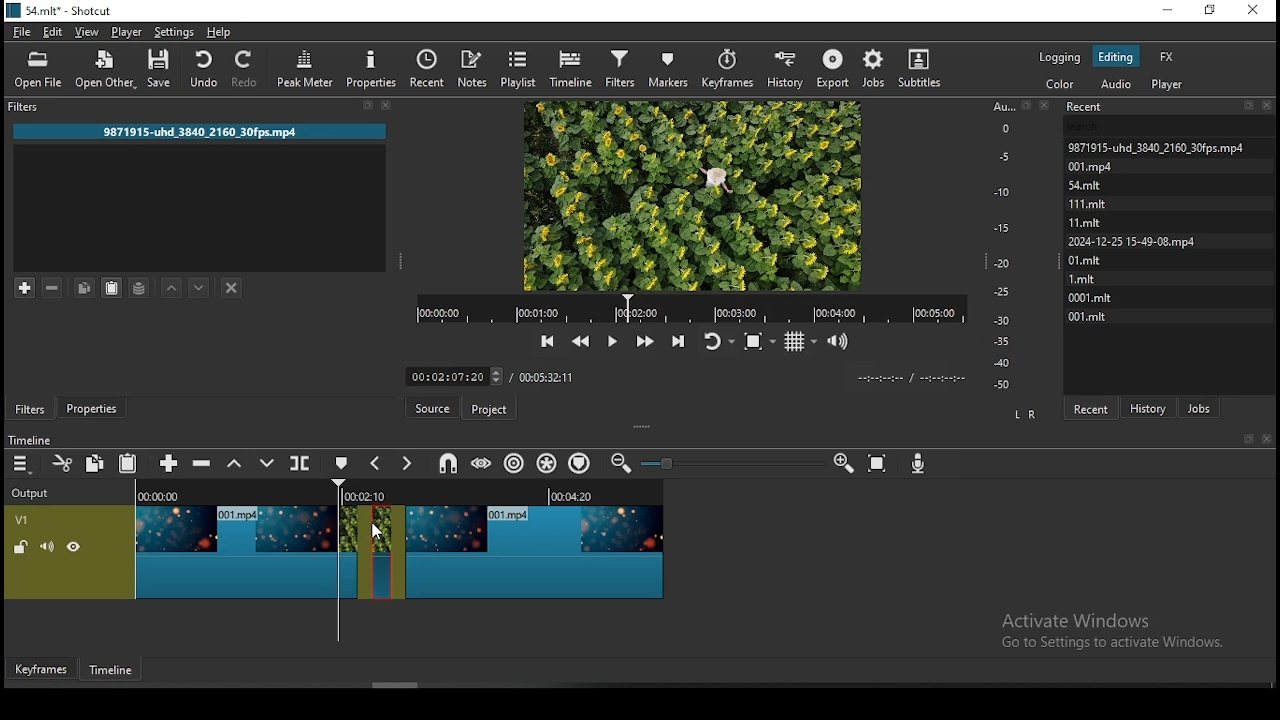  Describe the element at coordinates (682, 338) in the screenshot. I see `skip to the next point` at that location.